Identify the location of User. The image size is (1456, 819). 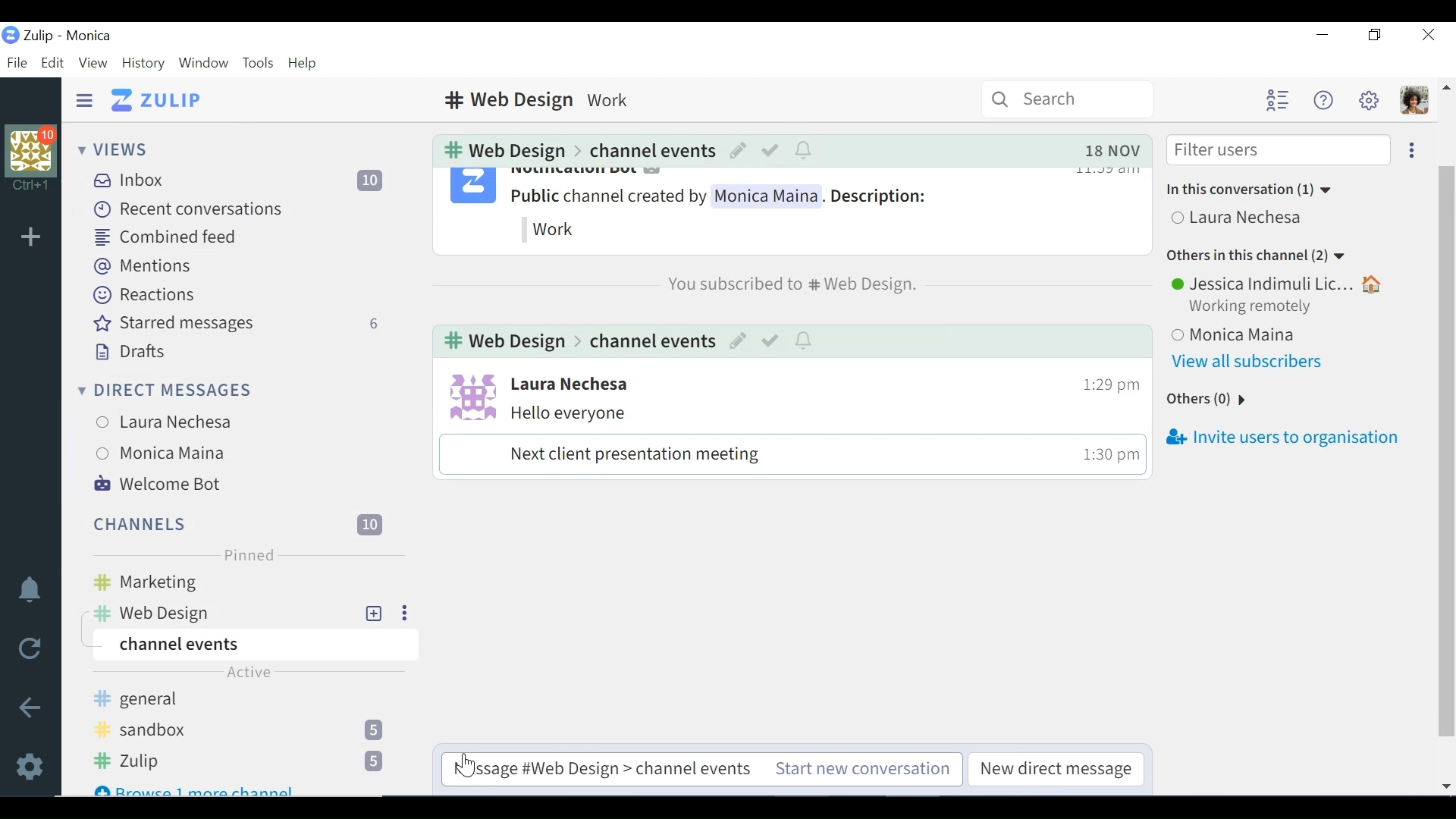
(172, 419).